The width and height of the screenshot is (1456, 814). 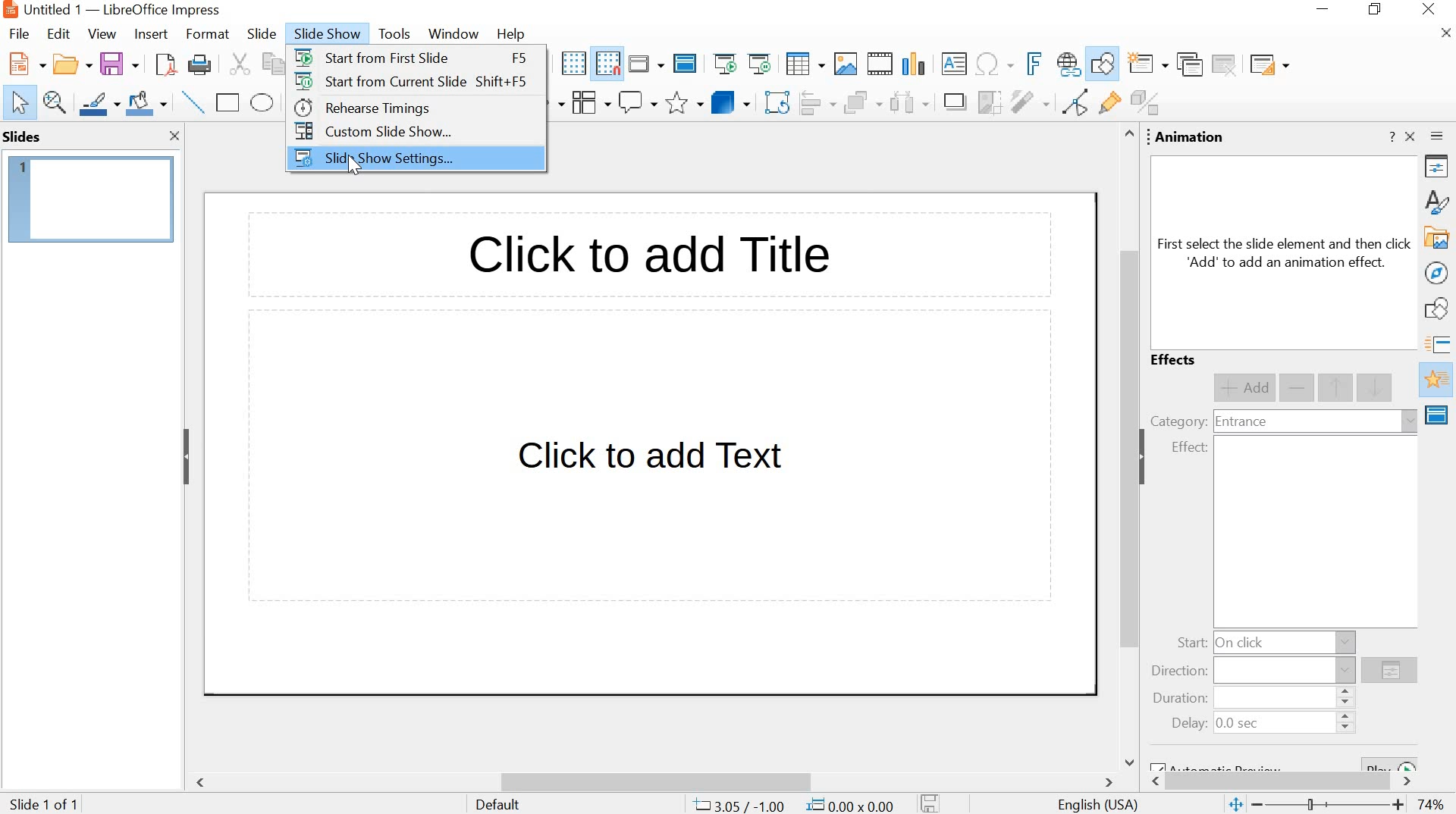 What do you see at coordinates (573, 64) in the screenshot?
I see `display grid` at bounding box center [573, 64].